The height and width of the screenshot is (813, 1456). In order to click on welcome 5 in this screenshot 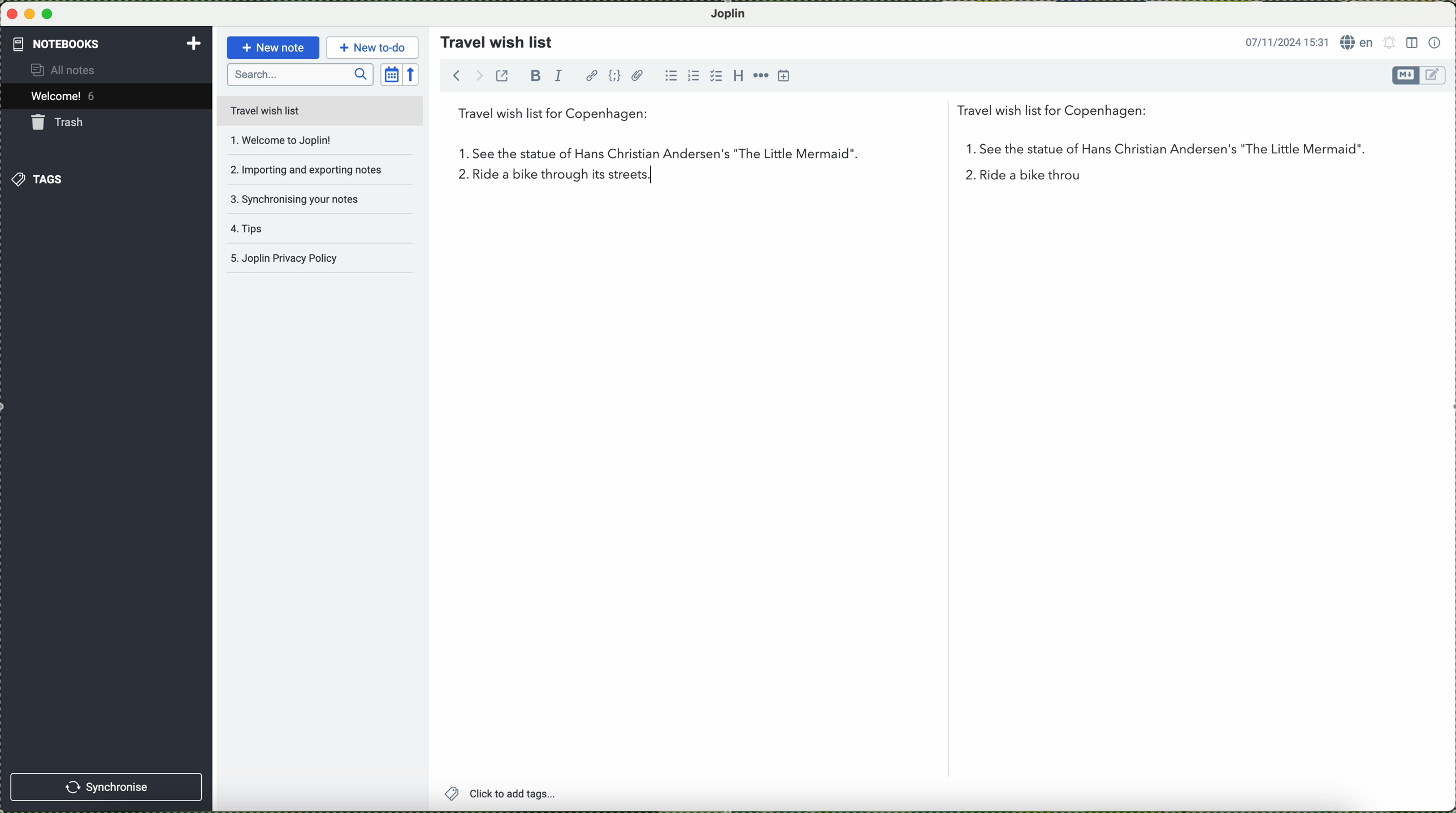, I will do `click(66, 98)`.